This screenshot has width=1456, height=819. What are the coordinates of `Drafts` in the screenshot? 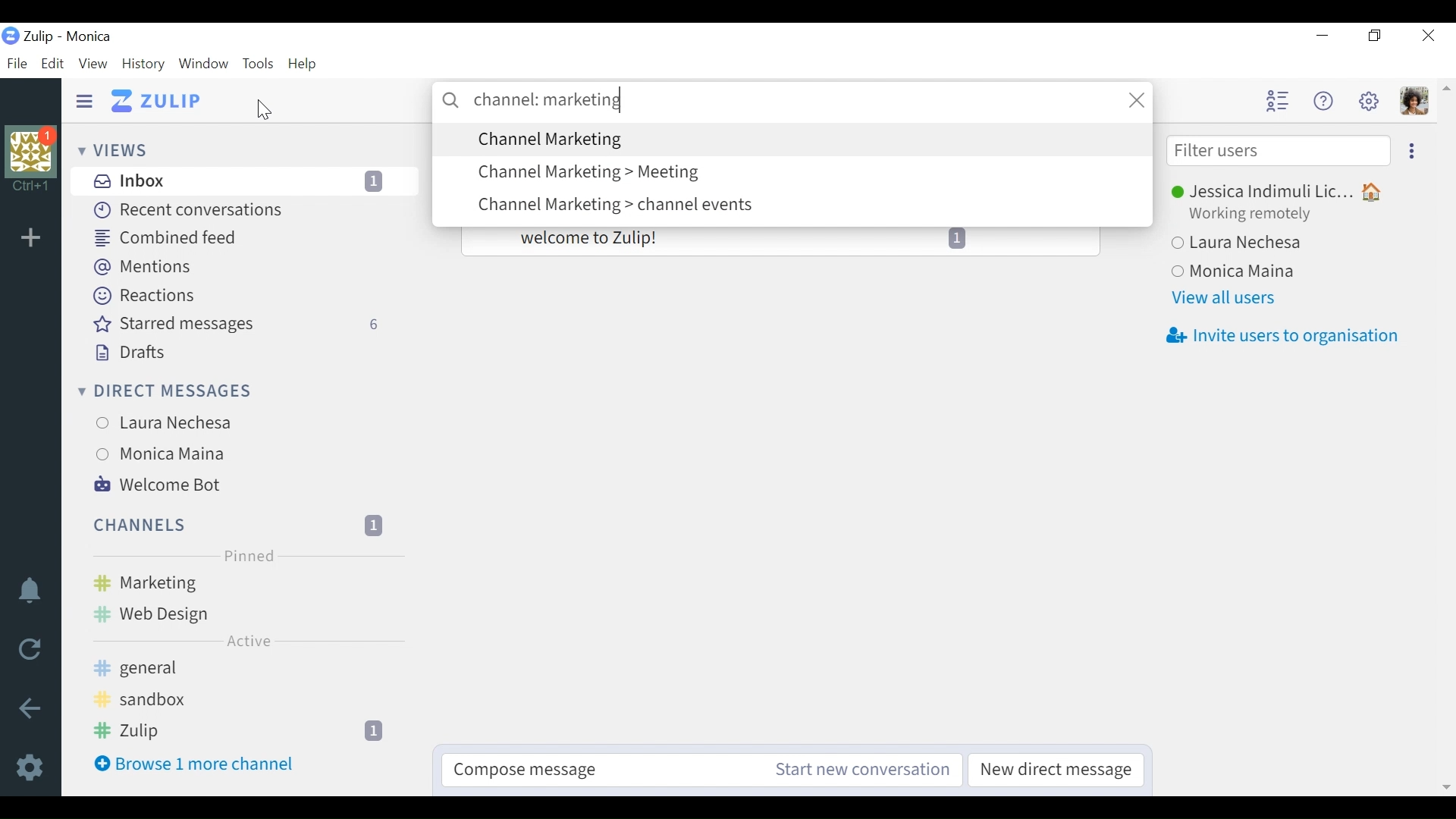 It's located at (126, 353).